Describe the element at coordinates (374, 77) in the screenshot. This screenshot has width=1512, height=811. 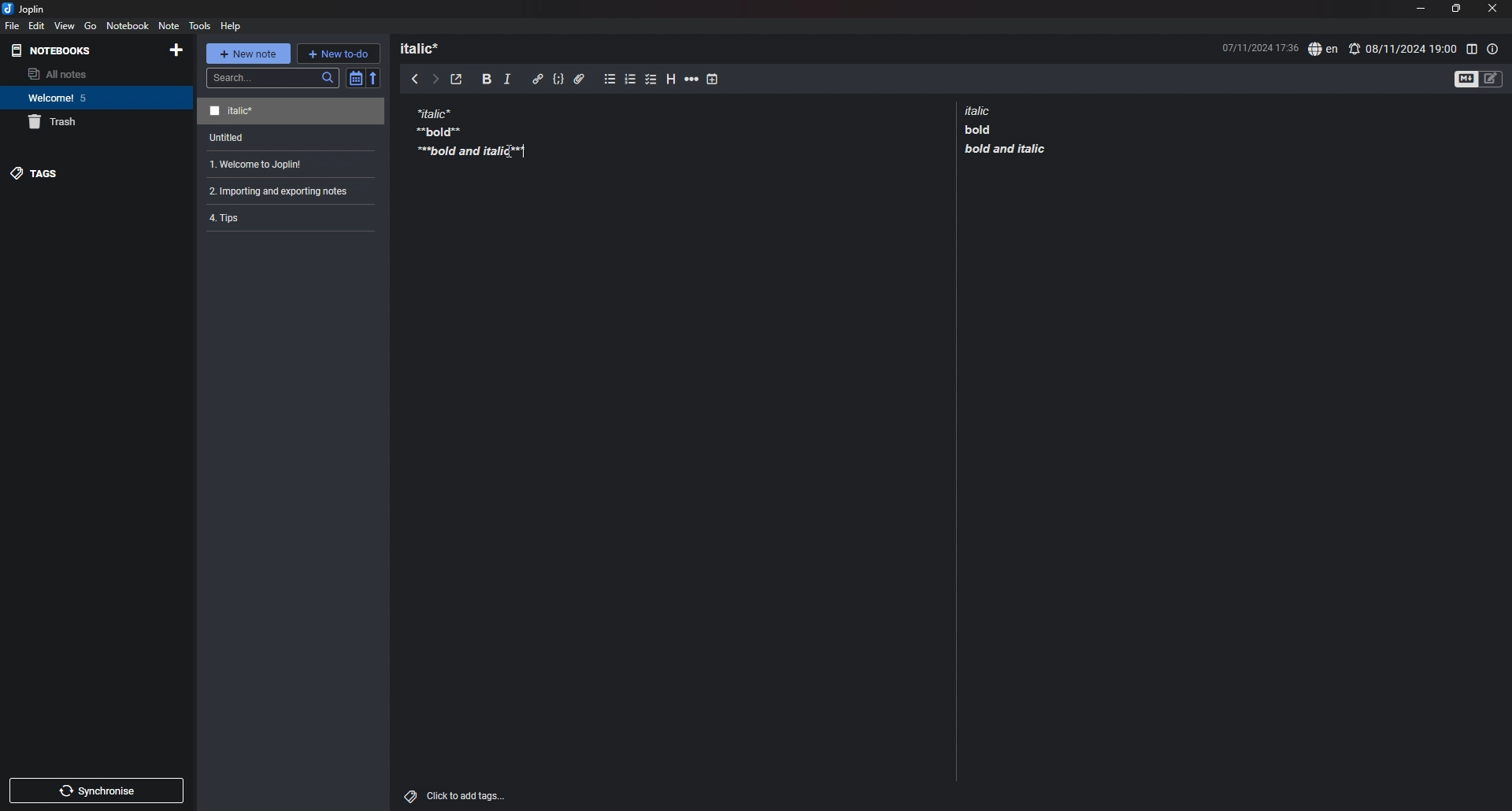
I see `reverse sort order` at that location.